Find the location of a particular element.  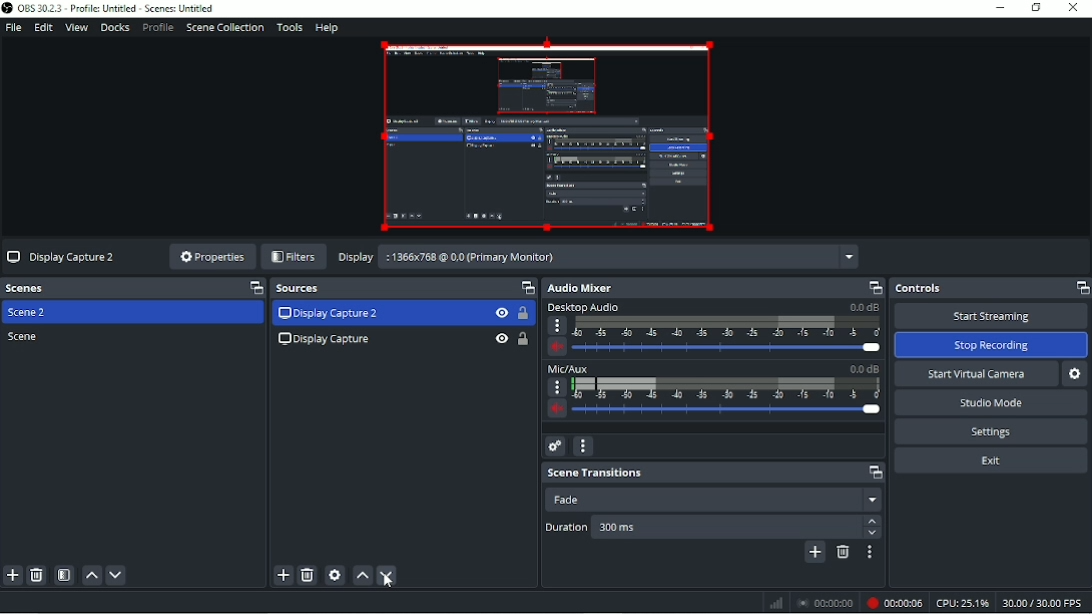

Hide is located at coordinates (500, 313).